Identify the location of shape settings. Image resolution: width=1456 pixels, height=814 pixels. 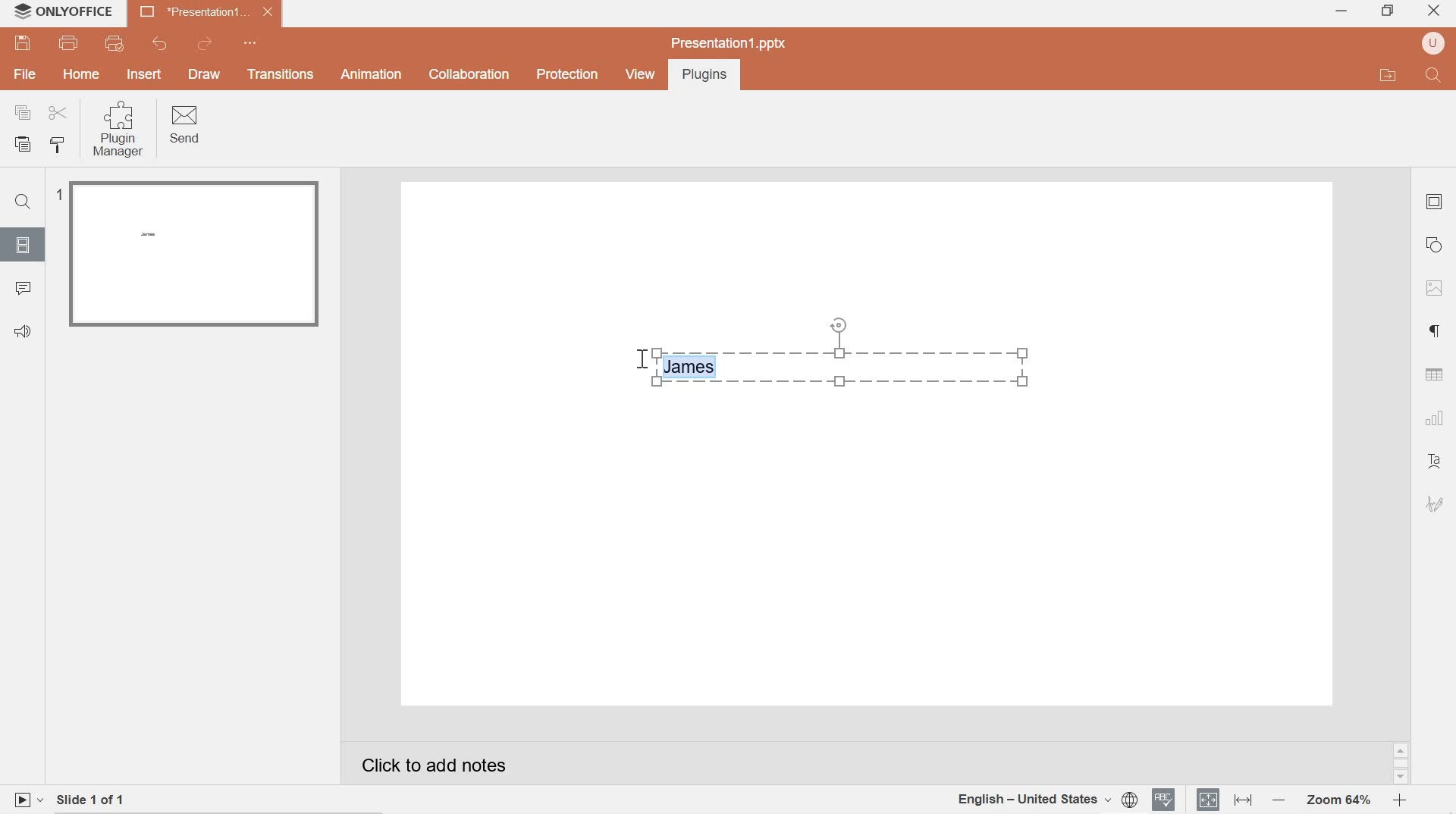
(1436, 244).